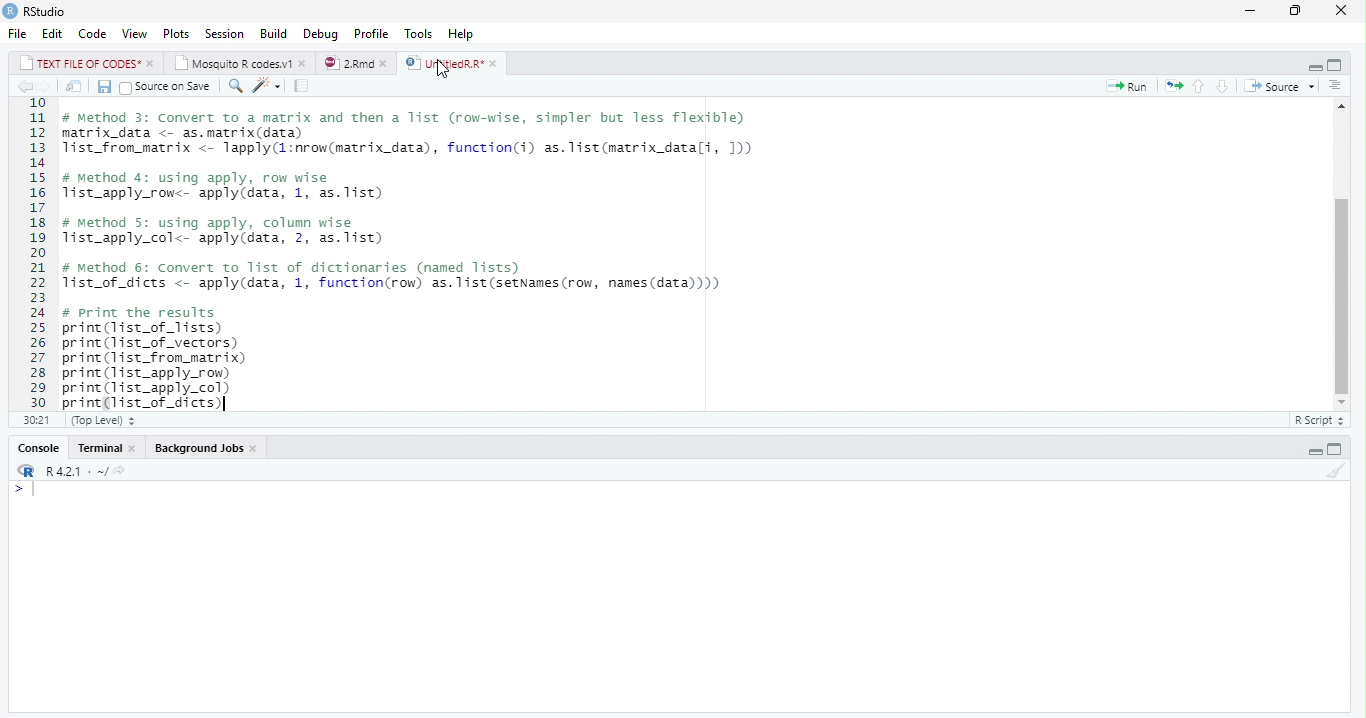  What do you see at coordinates (166, 86) in the screenshot?
I see `source on save` at bounding box center [166, 86].